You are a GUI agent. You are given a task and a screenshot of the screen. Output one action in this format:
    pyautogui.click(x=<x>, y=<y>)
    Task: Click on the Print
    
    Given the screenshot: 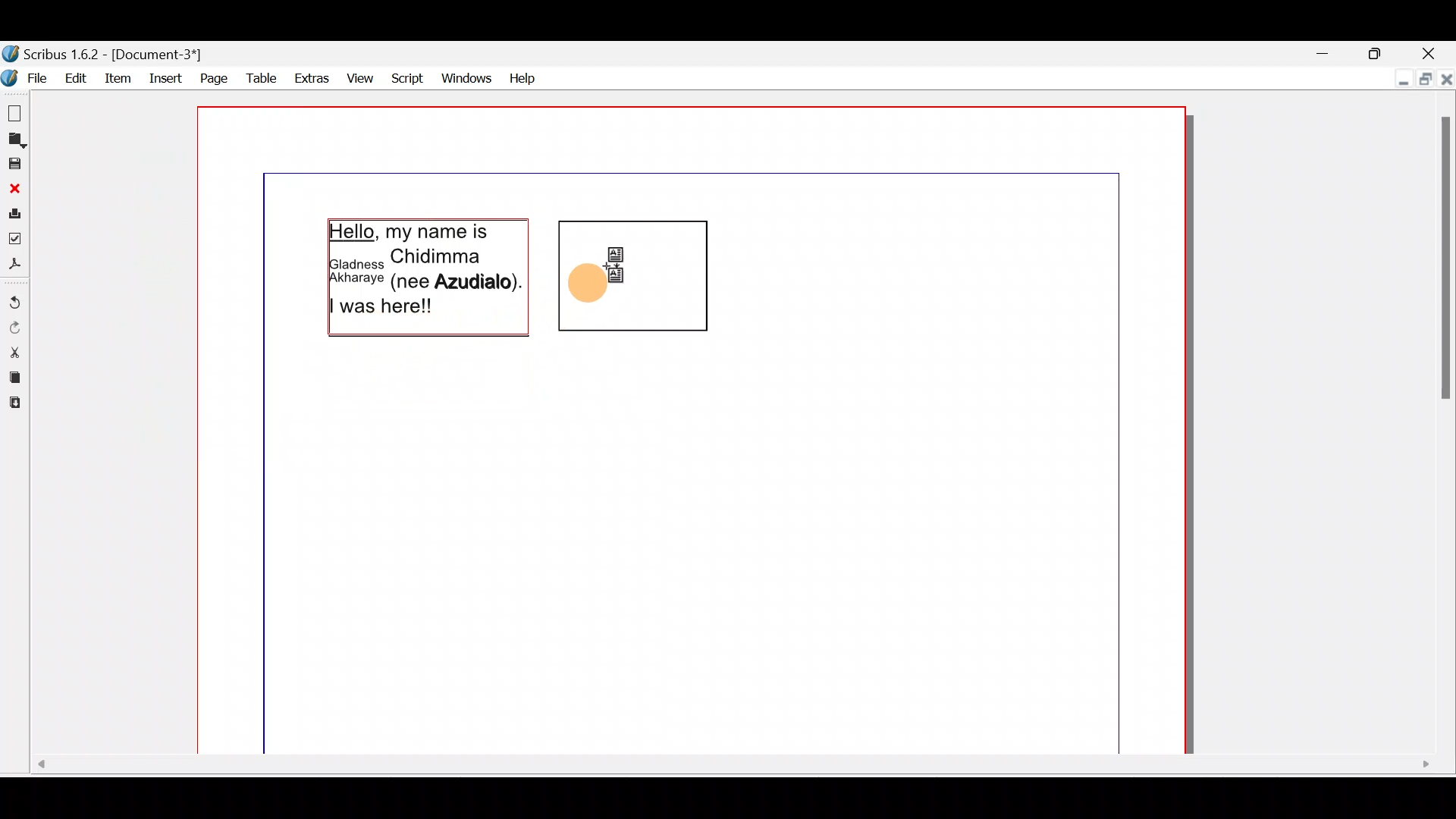 What is the action you would take?
    pyautogui.click(x=14, y=212)
    